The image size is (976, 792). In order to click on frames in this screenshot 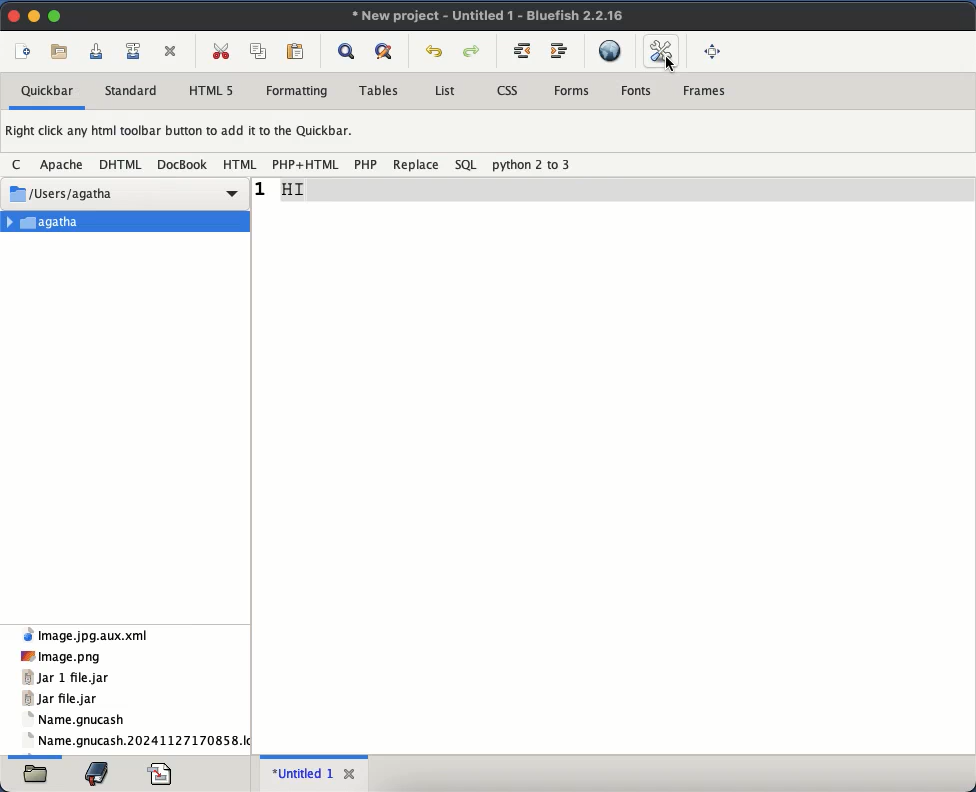, I will do `click(708, 91)`.